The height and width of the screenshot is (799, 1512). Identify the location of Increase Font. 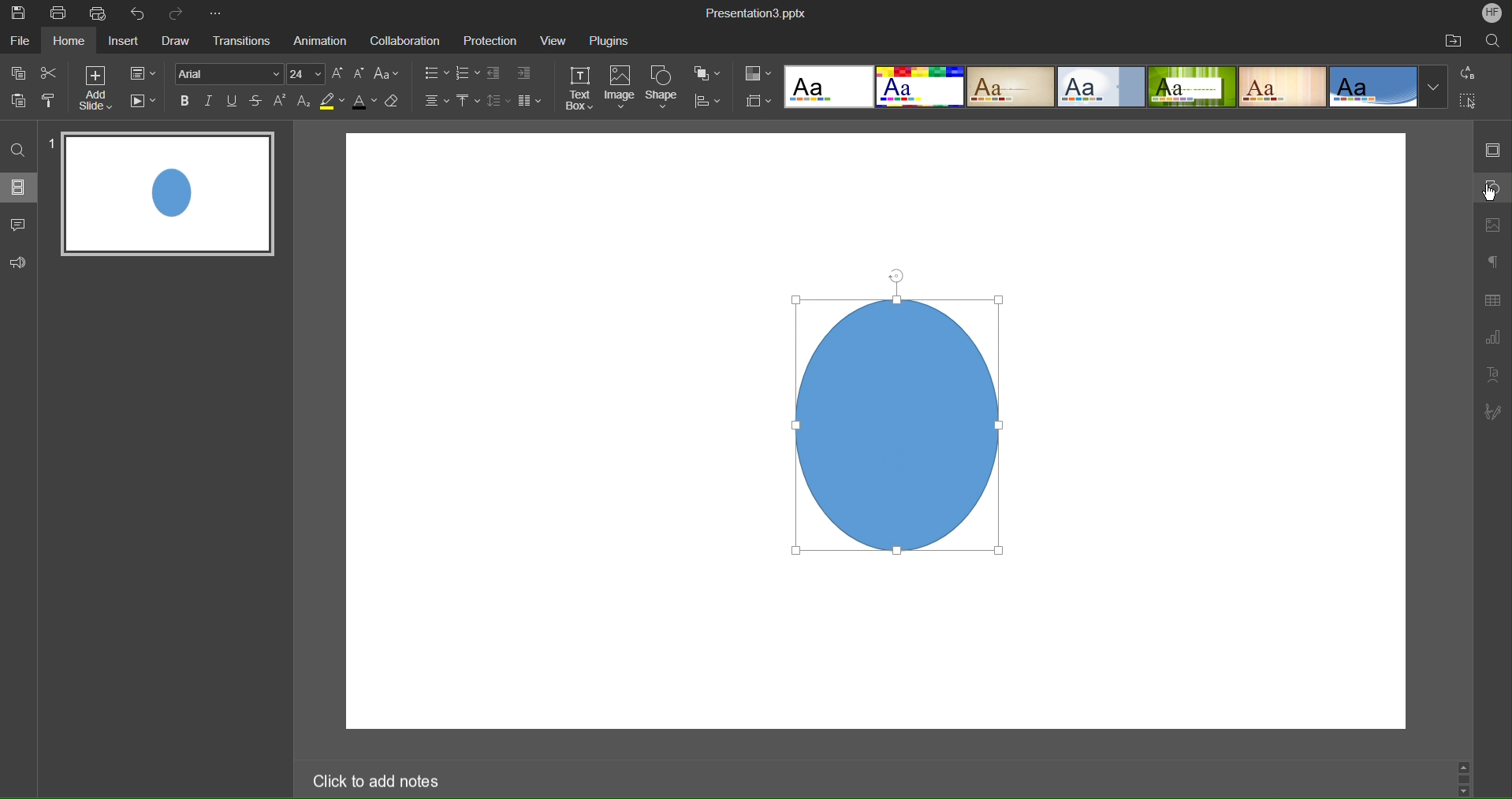
(339, 74).